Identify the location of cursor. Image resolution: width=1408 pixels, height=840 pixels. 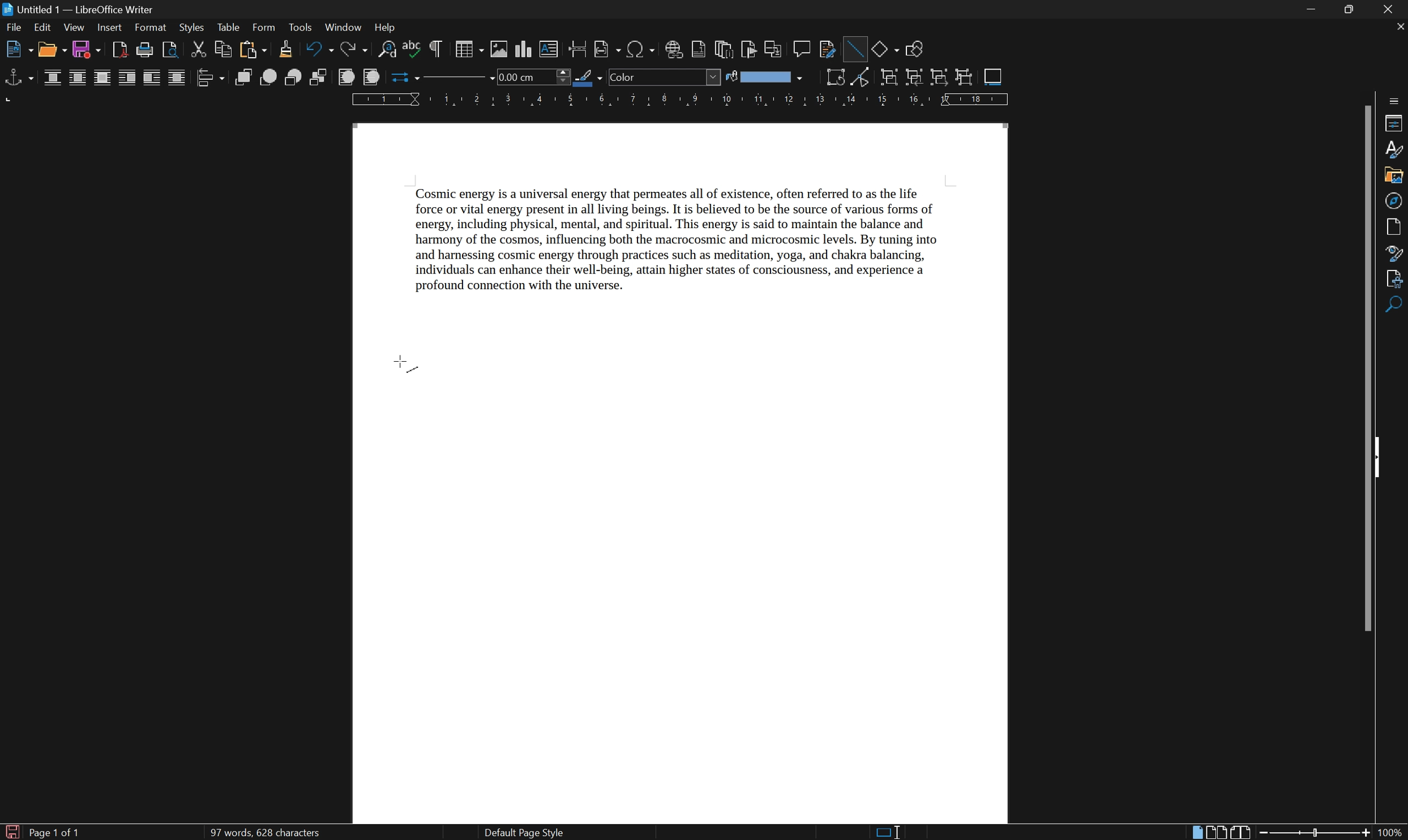
(406, 366).